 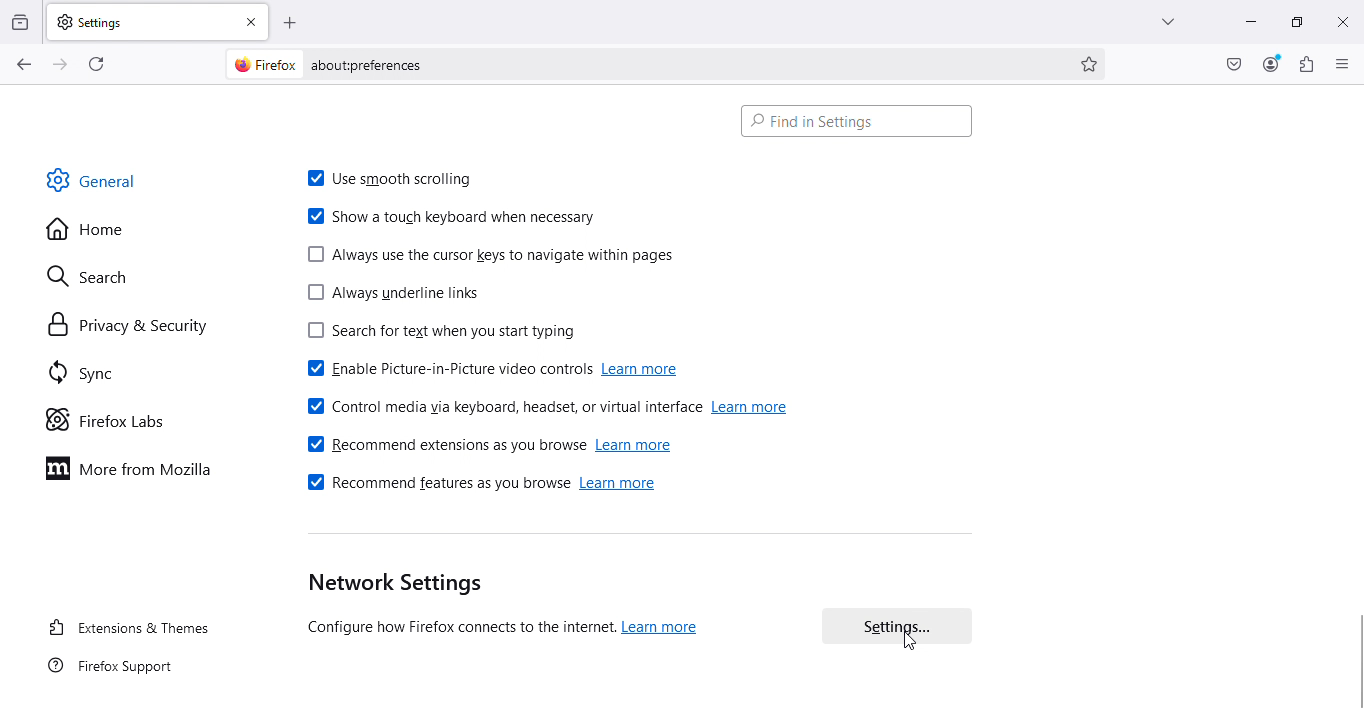 I want to click on Maximize, so click(x=1294, y=20).